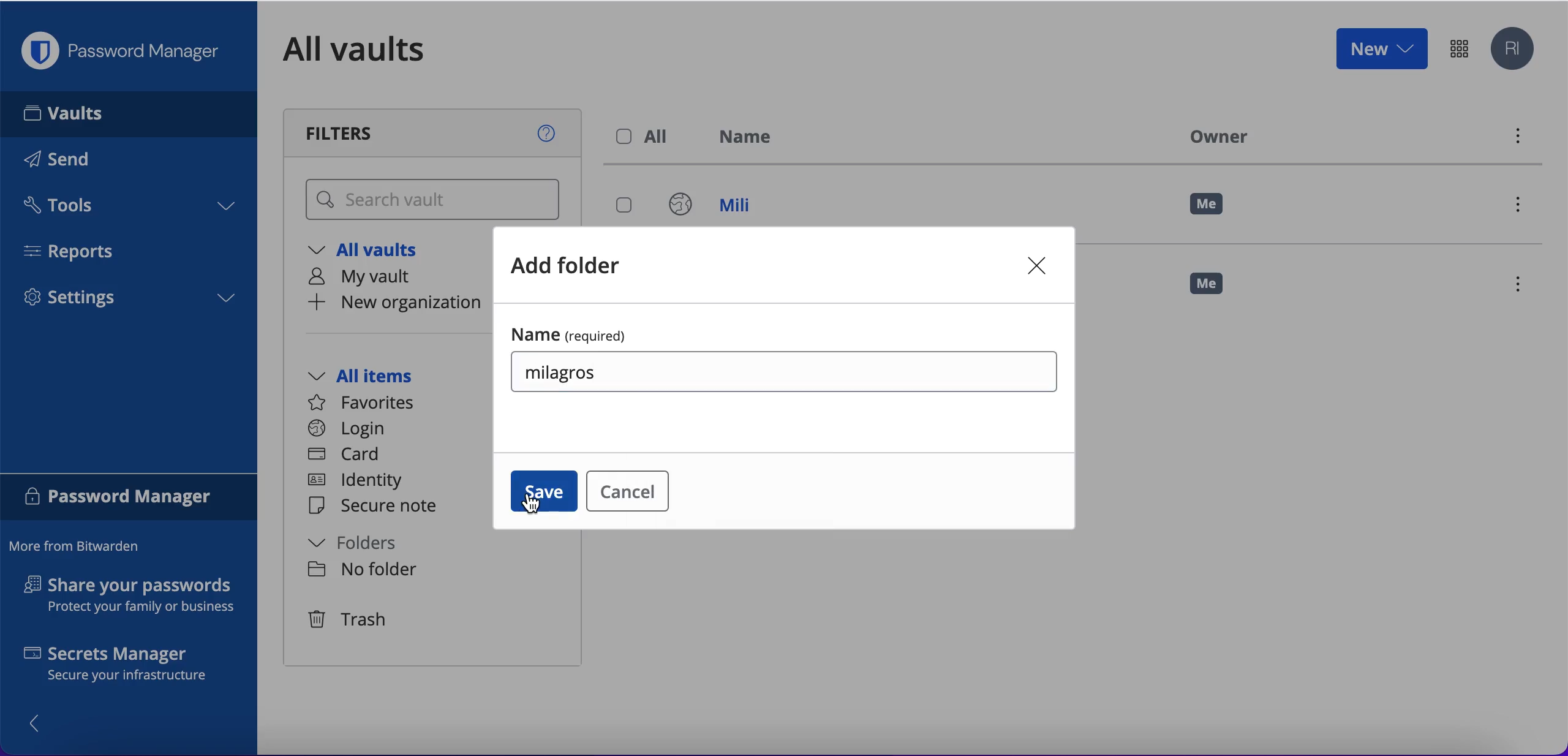  I want to click on me, so click(1216, 289).